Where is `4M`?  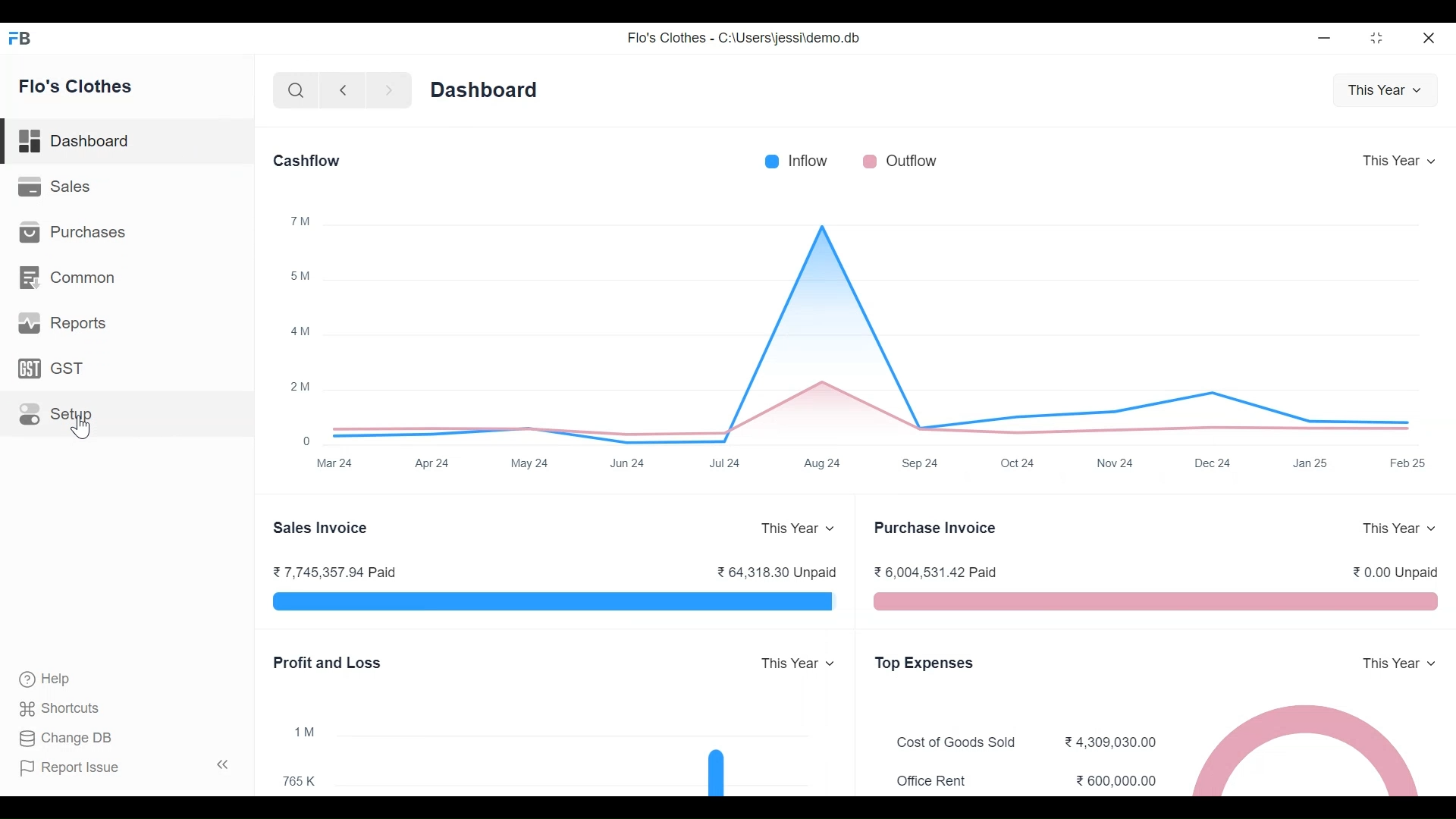
4M is located at coordinates (300, 330).